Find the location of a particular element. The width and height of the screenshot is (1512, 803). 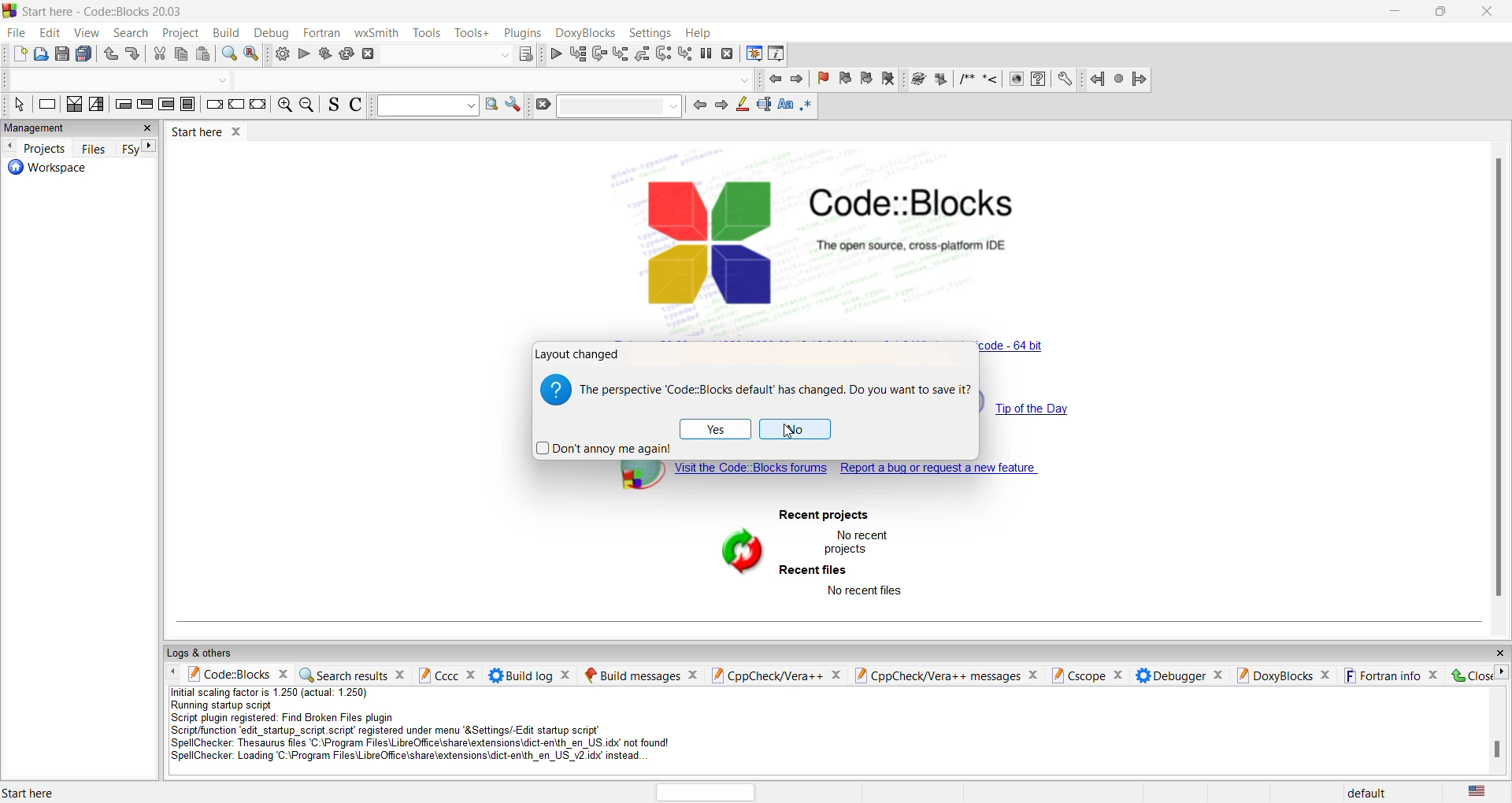

layout changed window is located at coordinates (580, 353).